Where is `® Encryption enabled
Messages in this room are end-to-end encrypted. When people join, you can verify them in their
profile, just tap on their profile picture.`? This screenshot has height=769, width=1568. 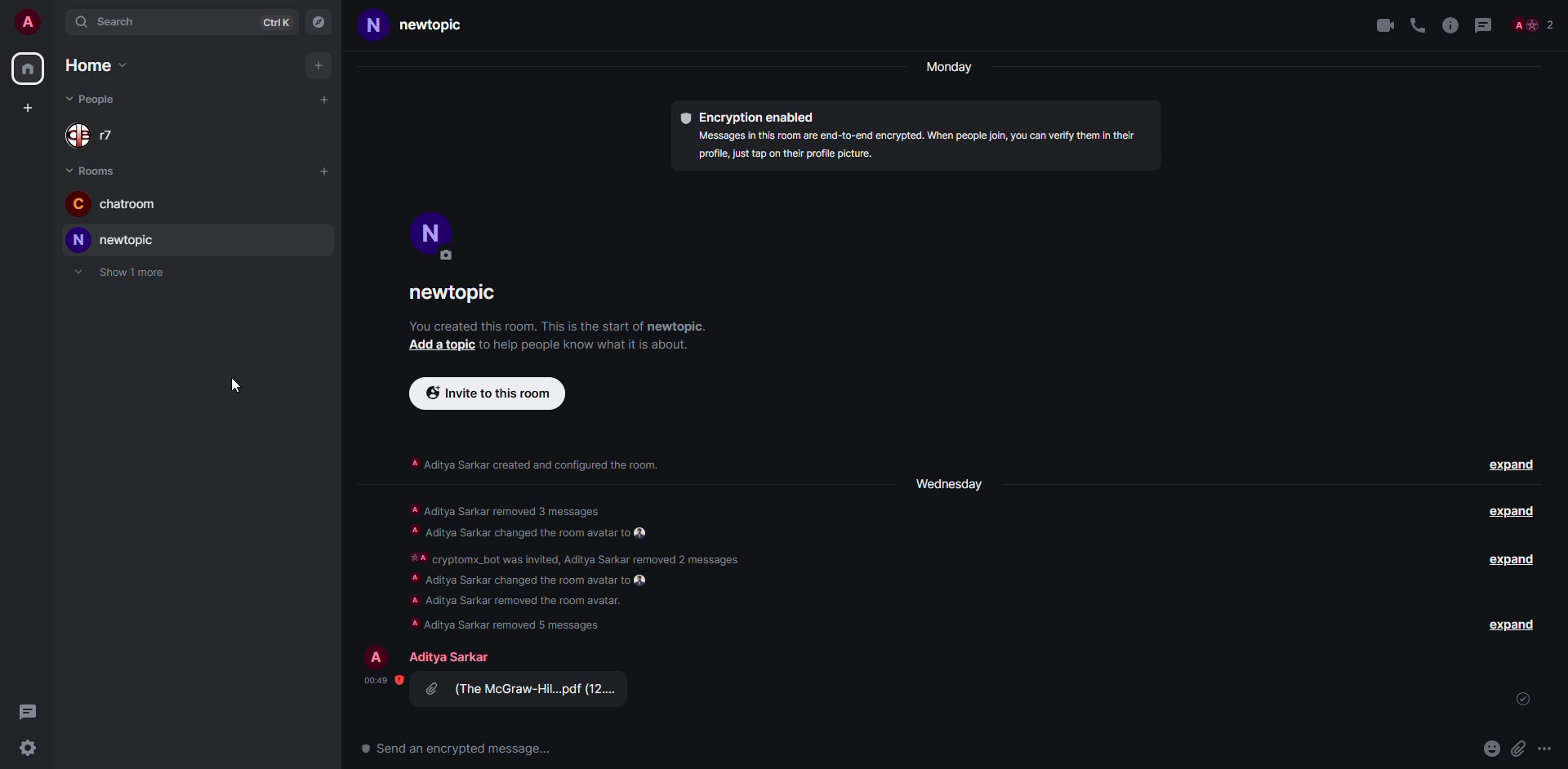
® Encryption enabled
Messages in this room are end-to-end encrypted. When people join, you can verify them in their
profile, just tap on their profile picture. is located at coordinates (911, 138).